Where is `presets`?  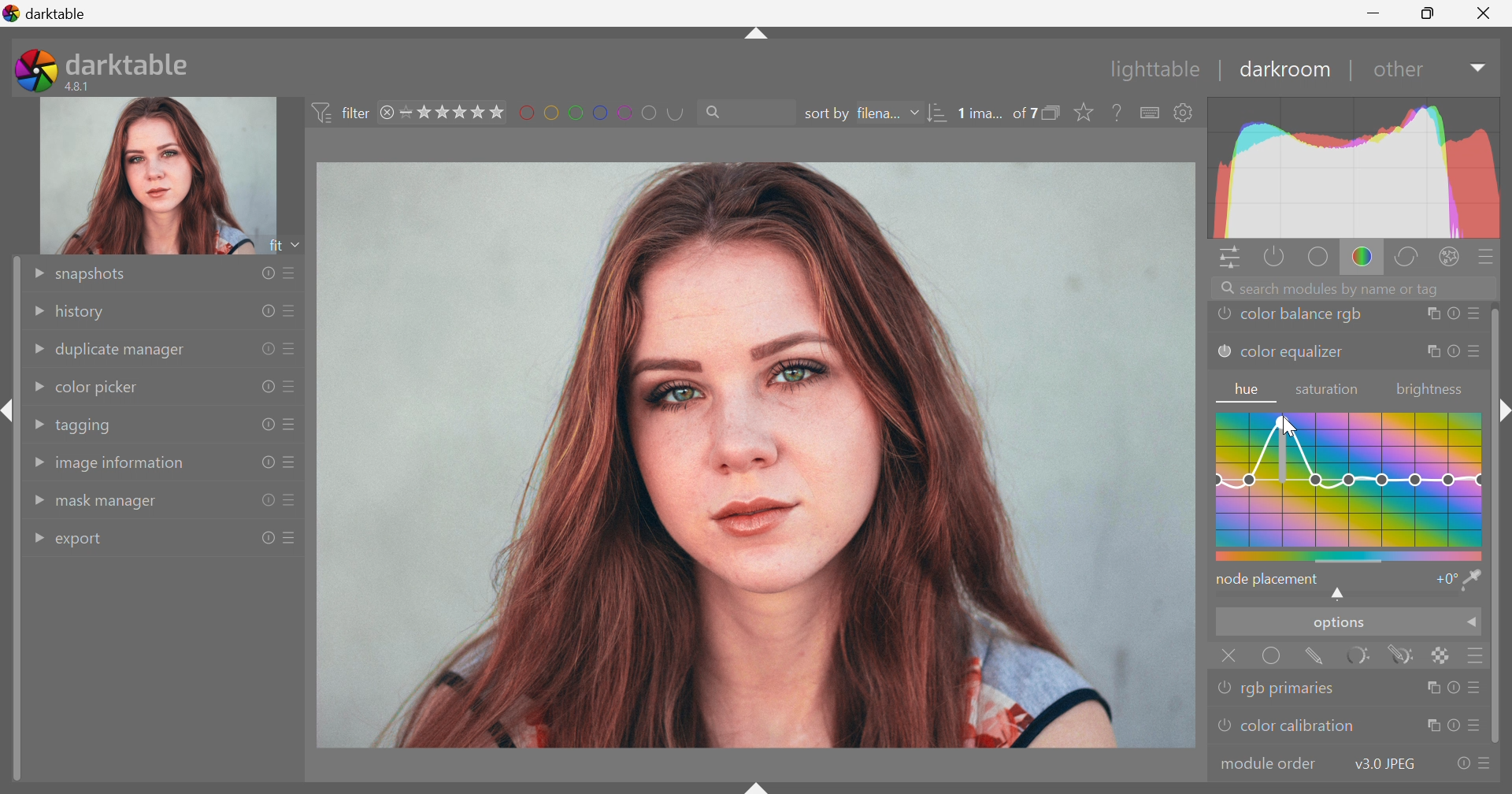 presets is located at coordinates (1488, 256).